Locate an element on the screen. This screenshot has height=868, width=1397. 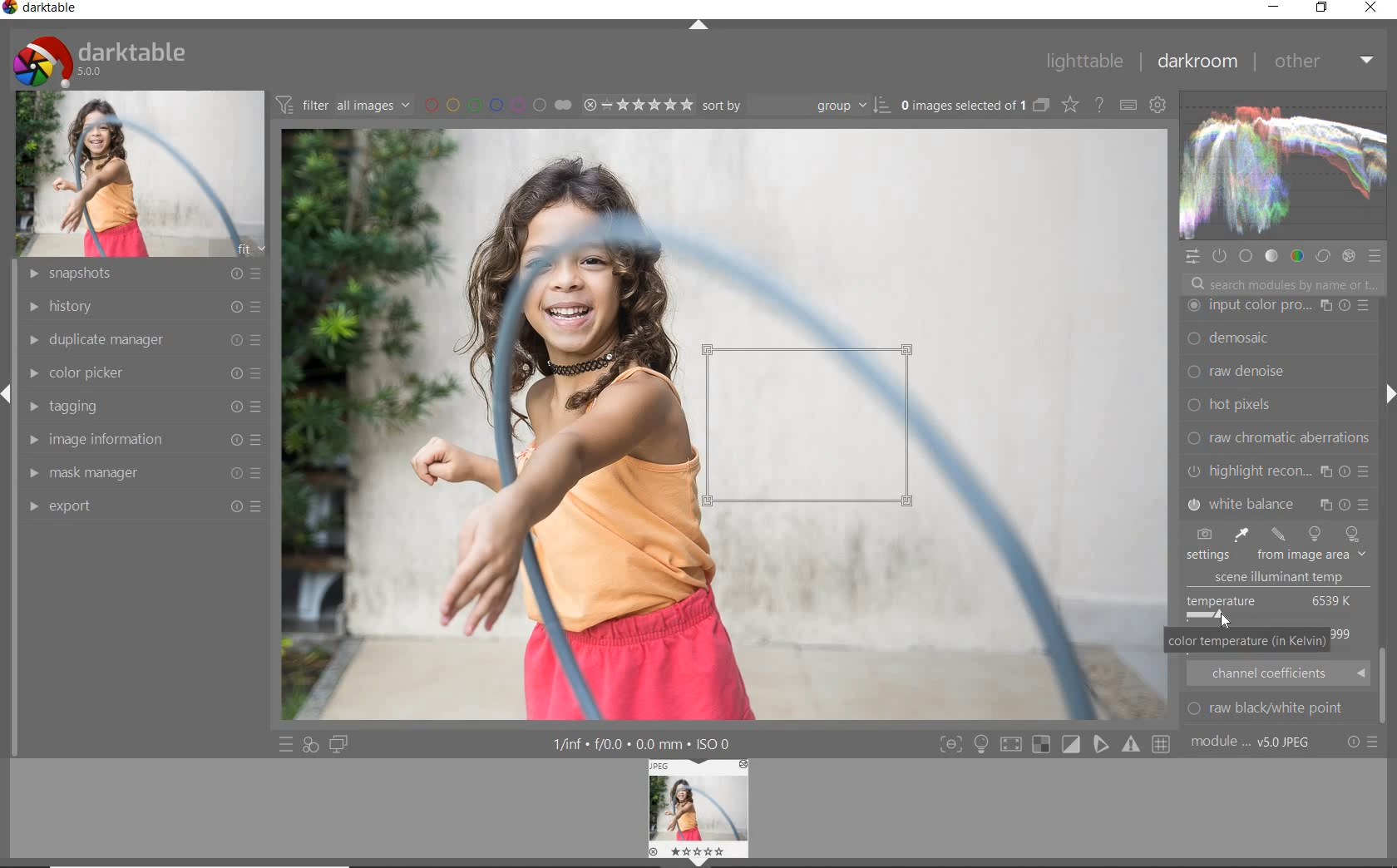
snapshots is located at coordinates (139, 274).